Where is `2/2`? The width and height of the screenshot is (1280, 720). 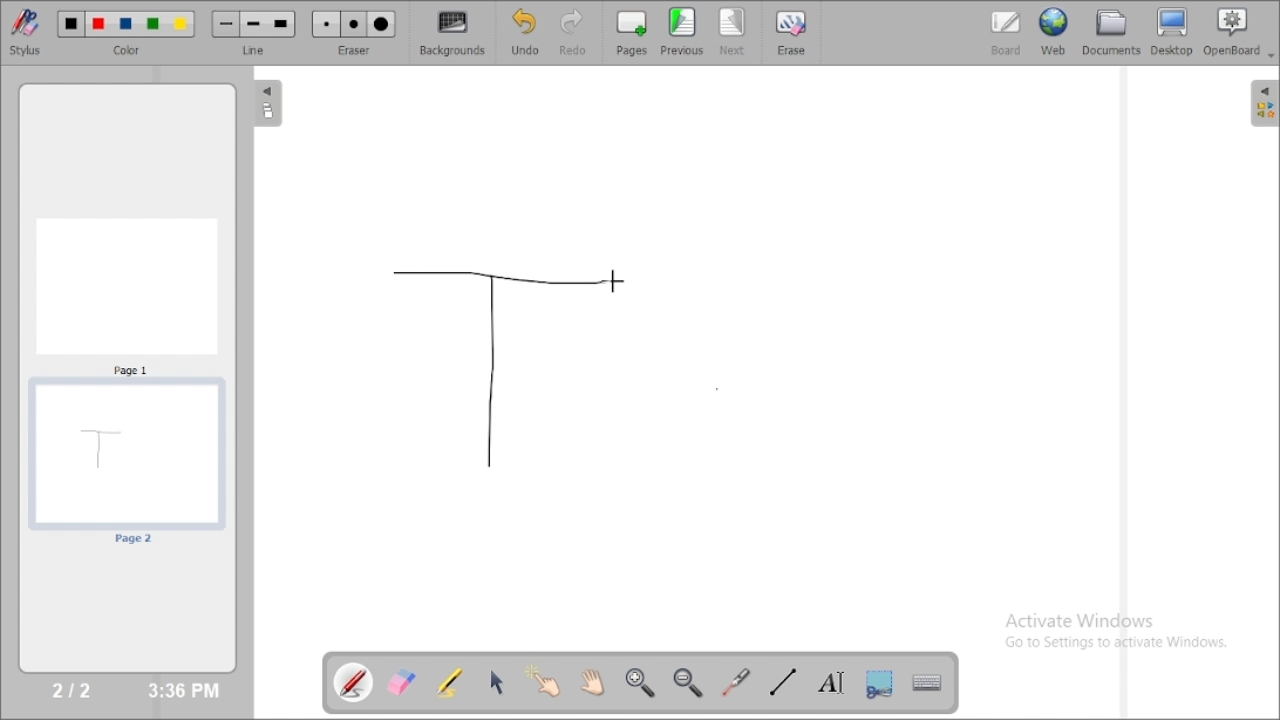
2/2 is located at coordinates (73, 689).